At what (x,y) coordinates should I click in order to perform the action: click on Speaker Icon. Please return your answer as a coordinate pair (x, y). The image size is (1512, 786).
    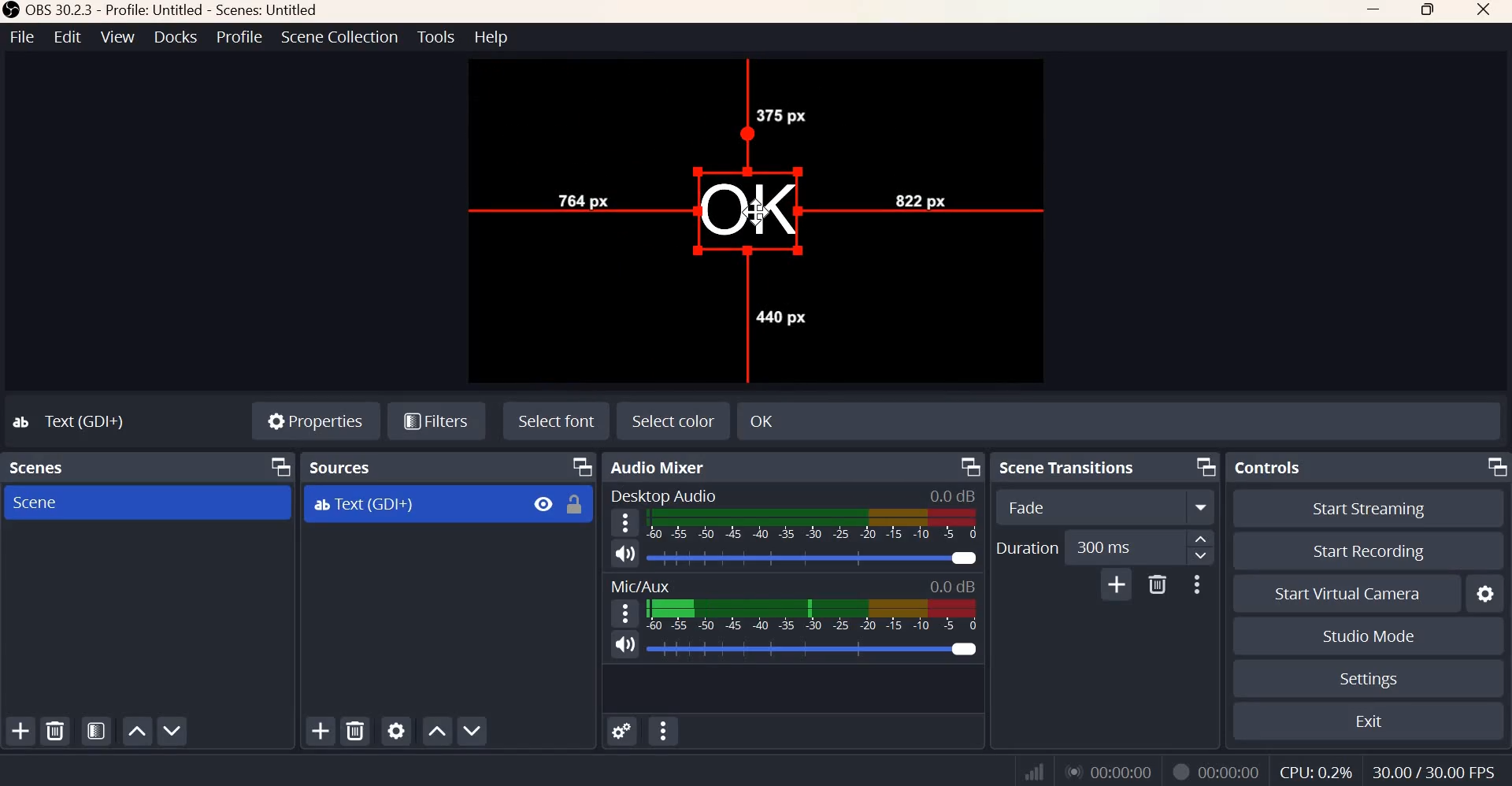
    Looking at the image, I should click on (625, 553).